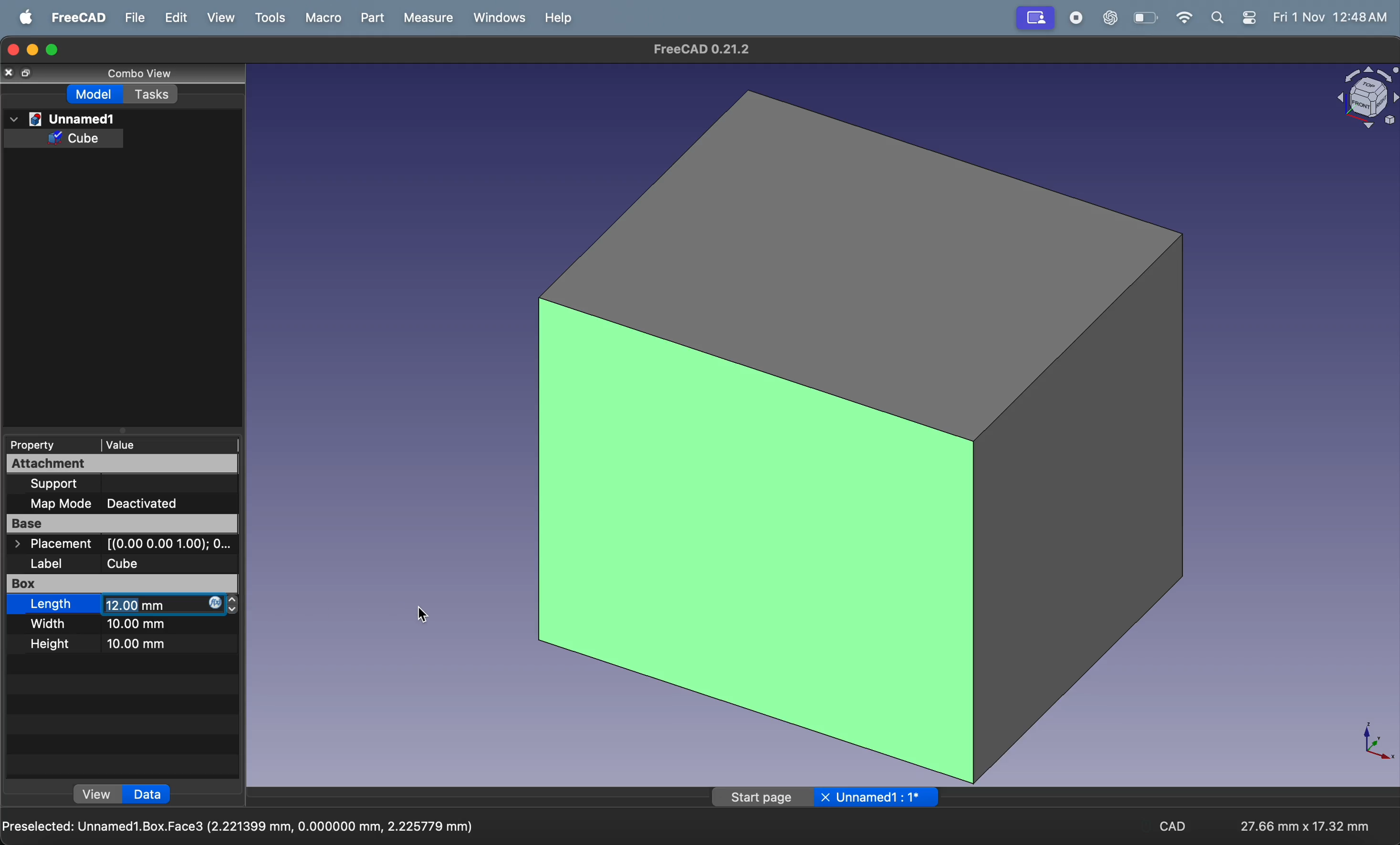  I want to click on property, so click(38, 445).